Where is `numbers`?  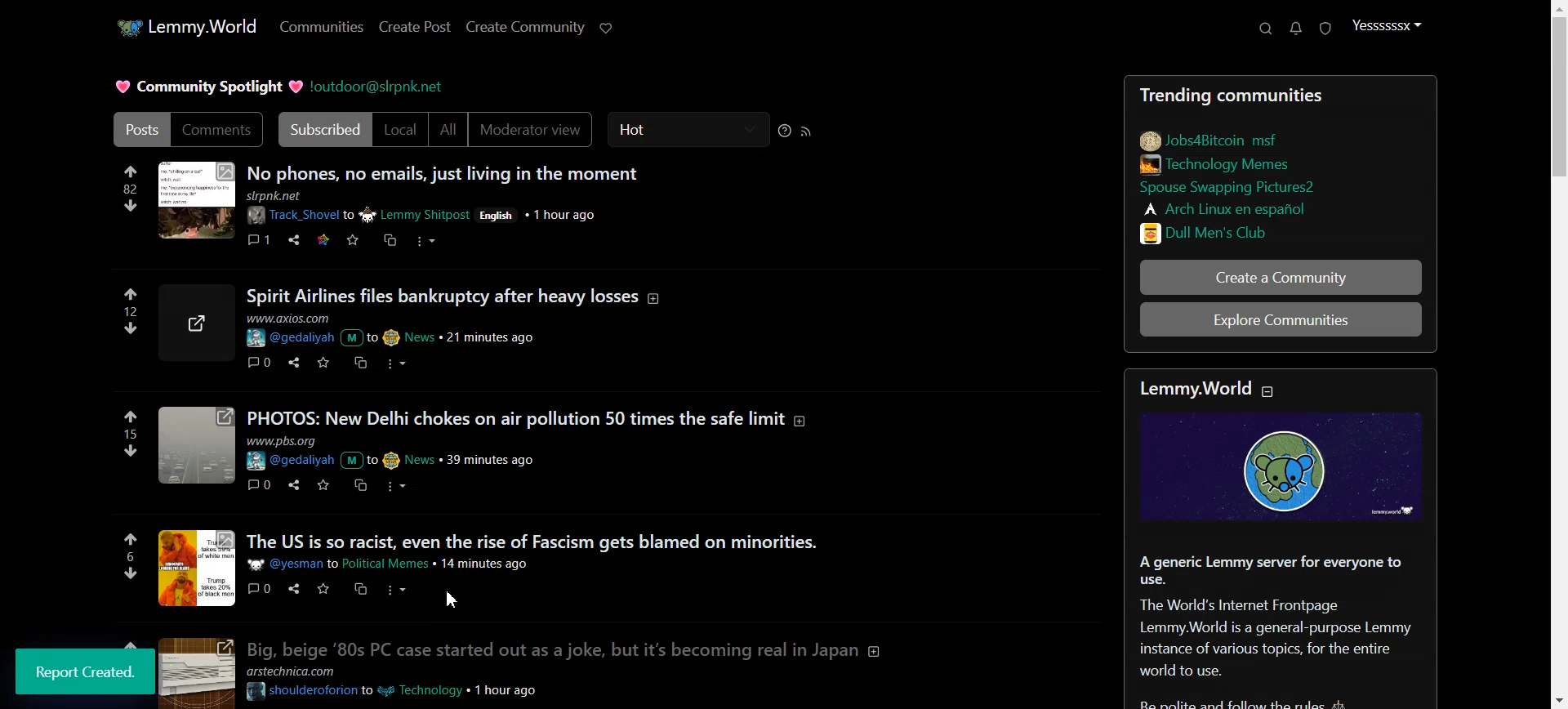 numbers is located at coordinates (131, 434).